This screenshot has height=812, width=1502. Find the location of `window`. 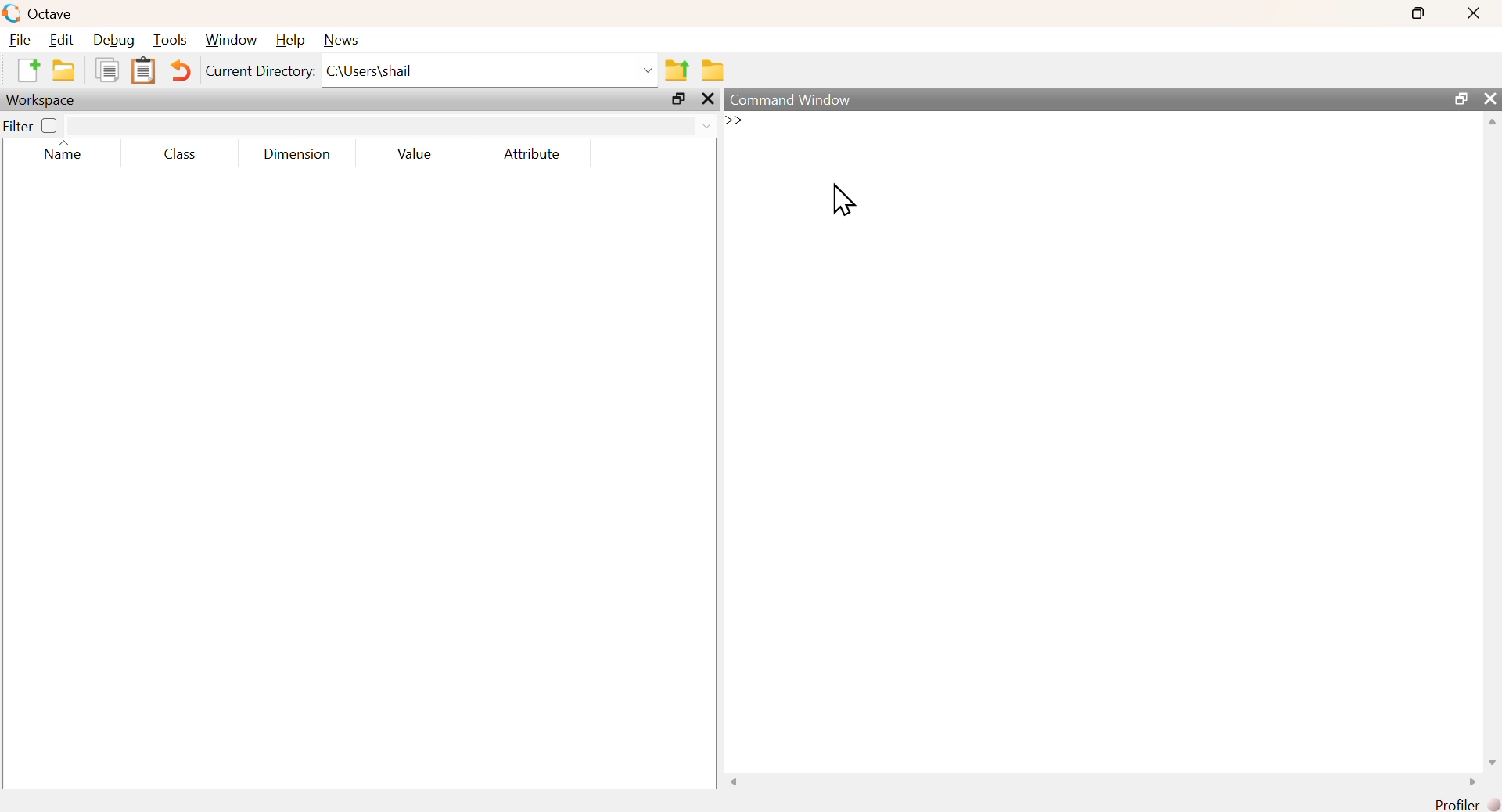

window is located at coordinates (231, 41).